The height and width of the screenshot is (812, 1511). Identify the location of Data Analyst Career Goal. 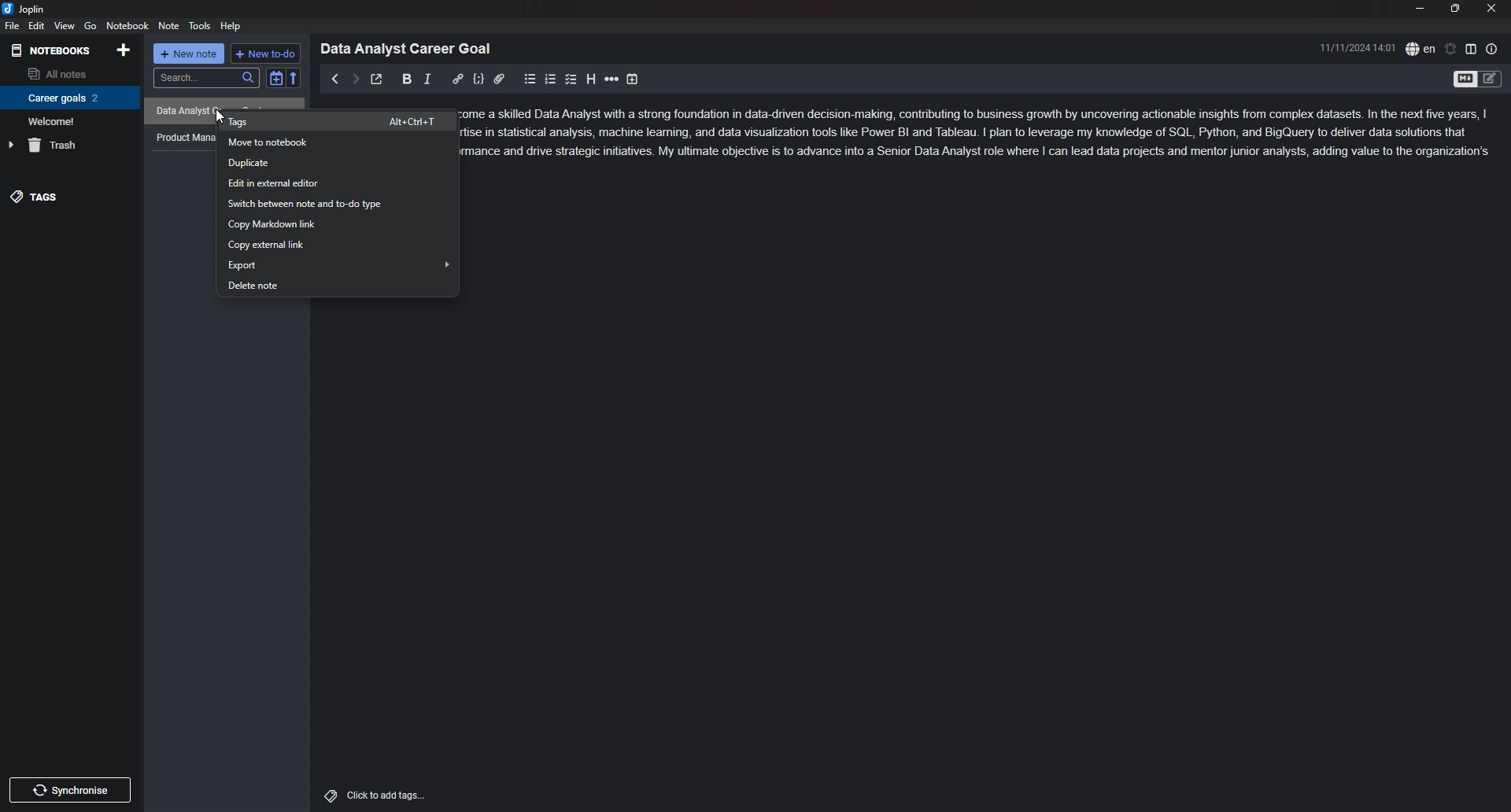
(412, 48).